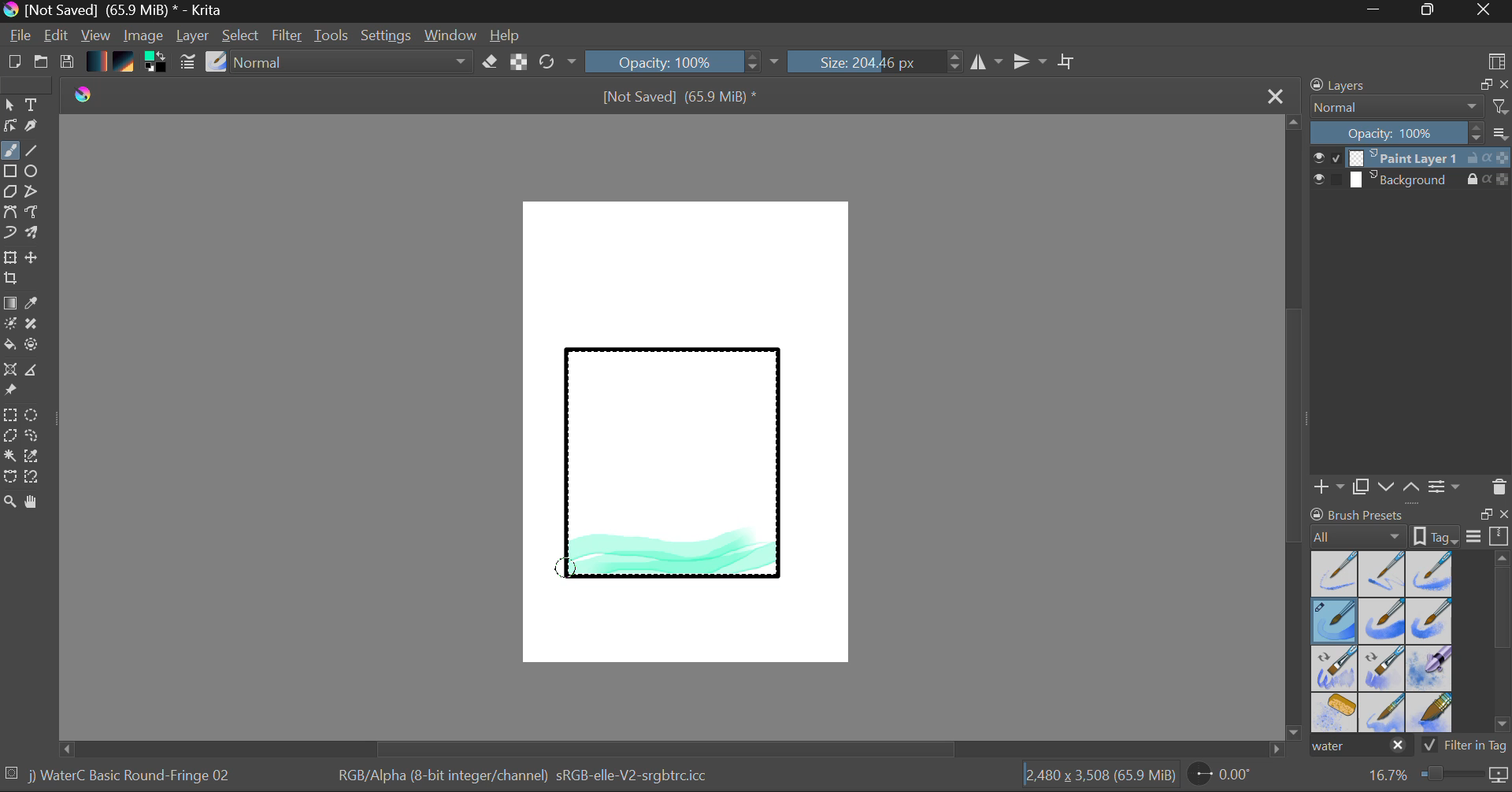 Image resolution: width=1512 pixels, height=792 pixels. What do you see at coordinates (684, 61) in the screenshot?
I see `Opacity` at bounding box center [684, 61].